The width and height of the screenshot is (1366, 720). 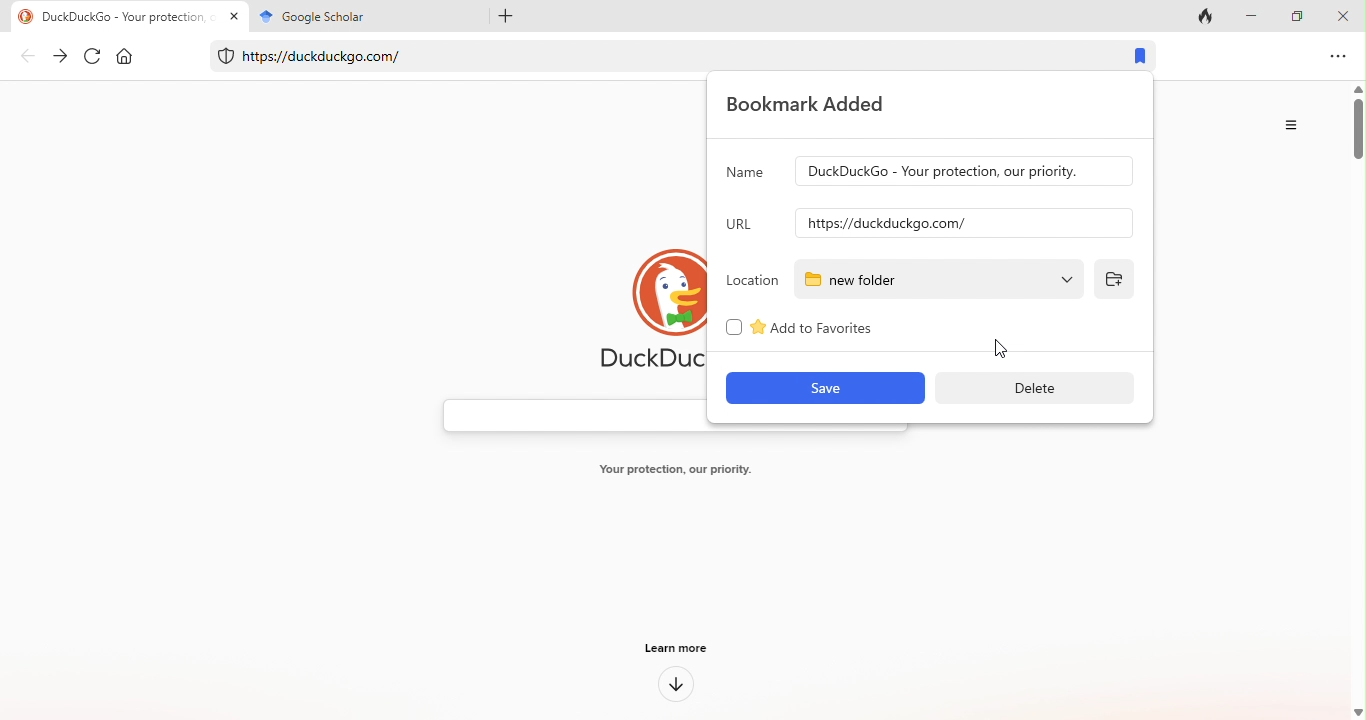 I want to click on title, so click(x=364, y=15).